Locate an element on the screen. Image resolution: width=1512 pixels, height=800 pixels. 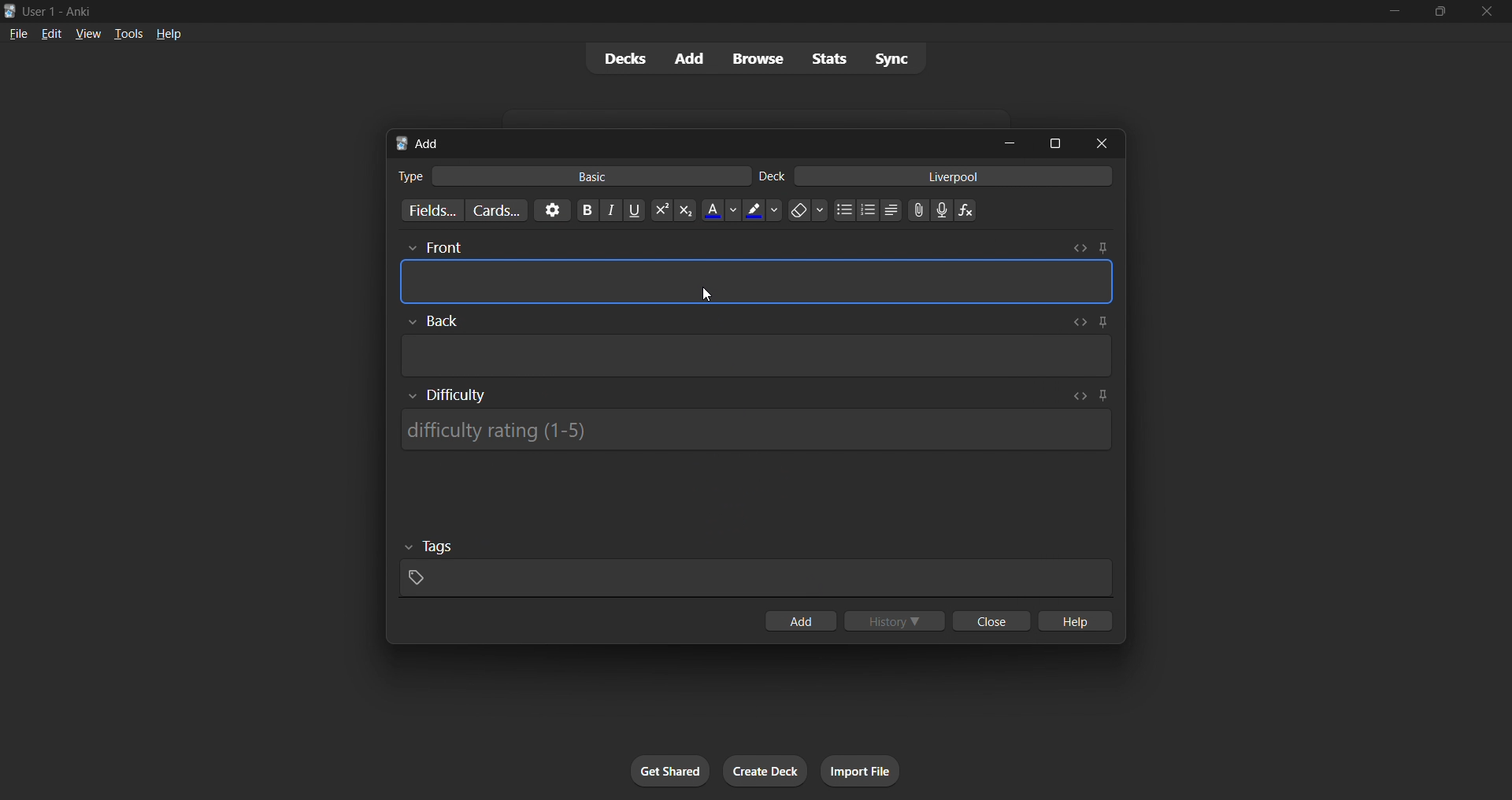
Alignment is located at coordinates (891, 210).